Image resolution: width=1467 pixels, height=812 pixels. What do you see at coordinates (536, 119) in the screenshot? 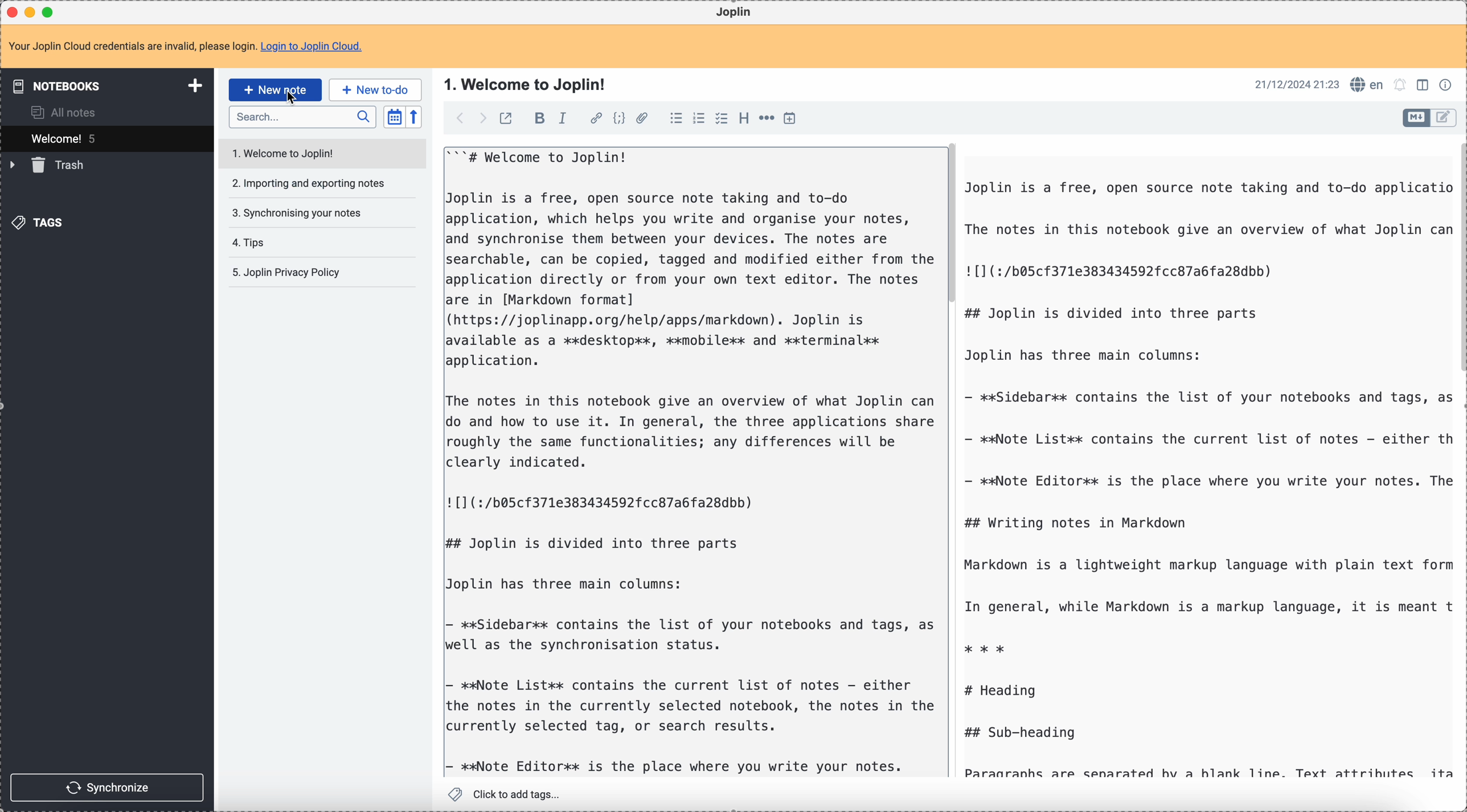
I see `bold` at bounding box center [536, 119].